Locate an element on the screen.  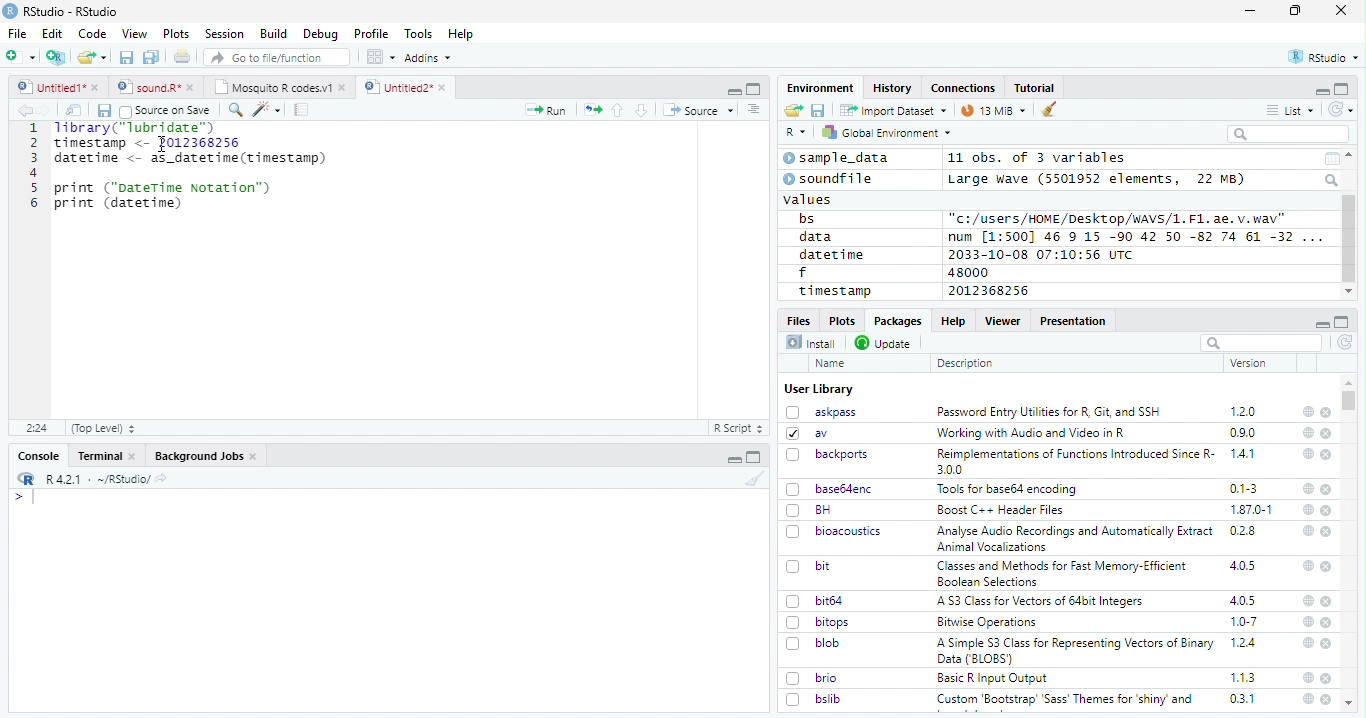
4.0.5 is located at coordinates (1243, 600).